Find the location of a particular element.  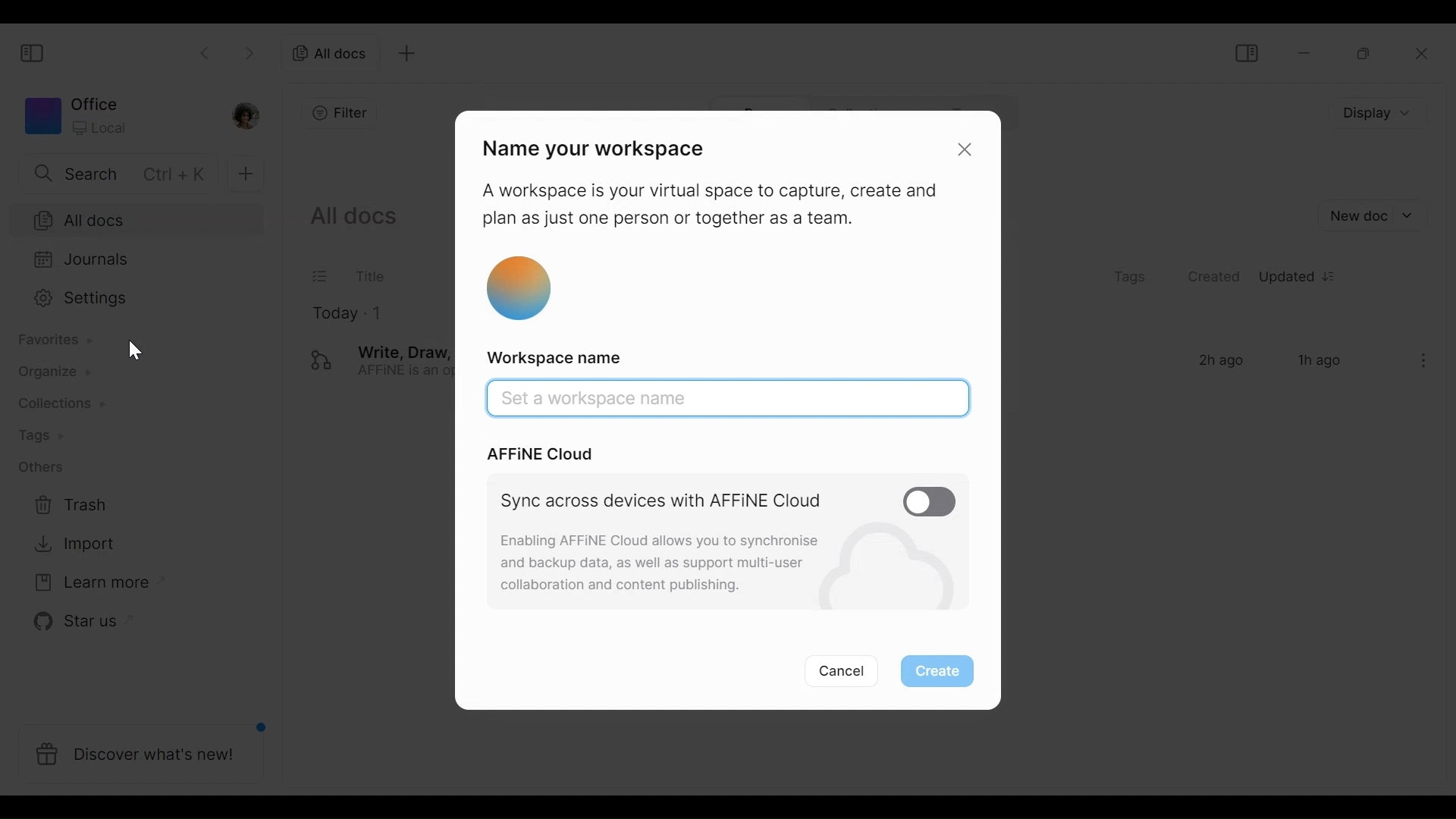

Import is located at coordinates (67, 545).